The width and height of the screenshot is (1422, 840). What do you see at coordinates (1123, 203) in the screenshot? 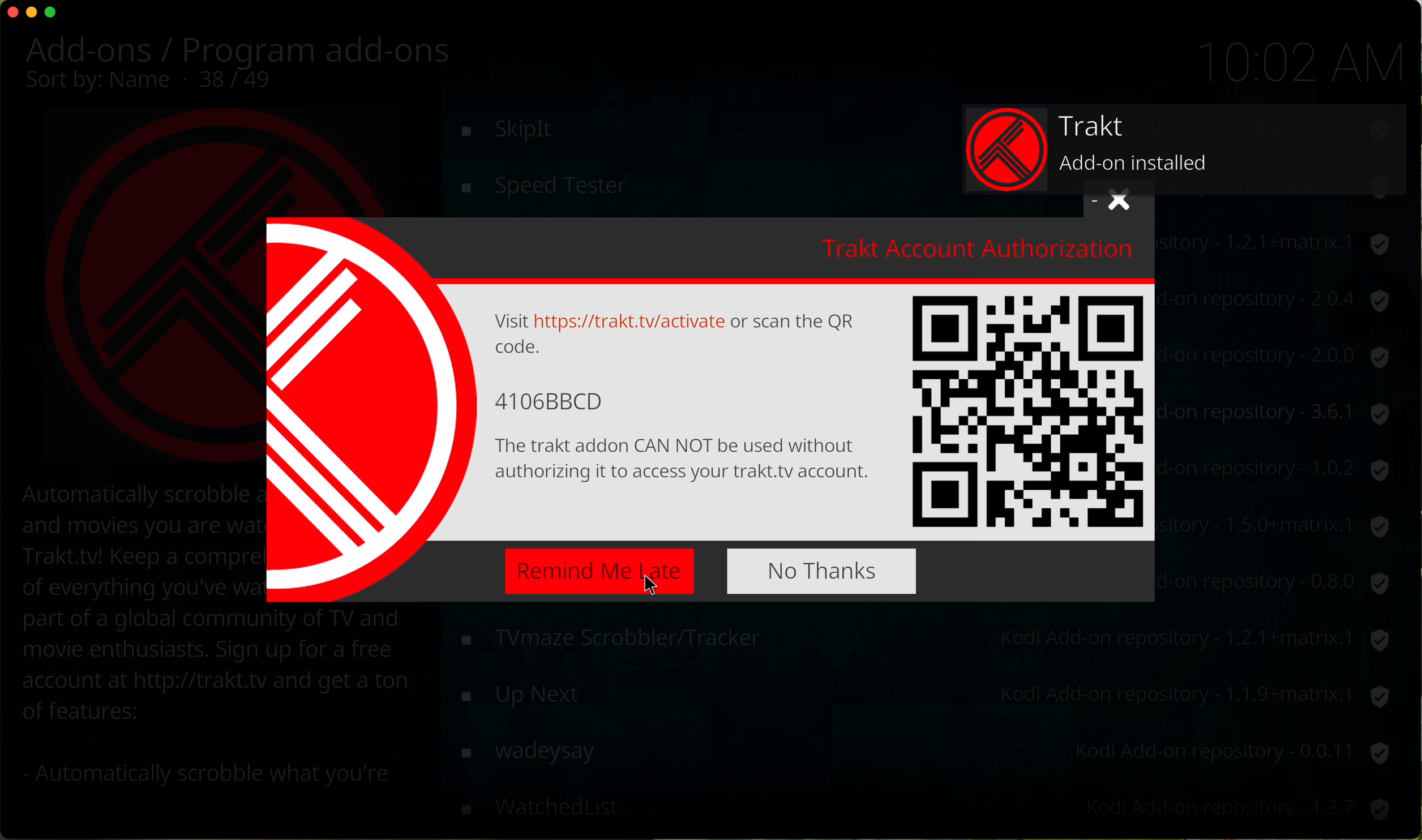
I see `close window` at bounding box center [1123, 203].